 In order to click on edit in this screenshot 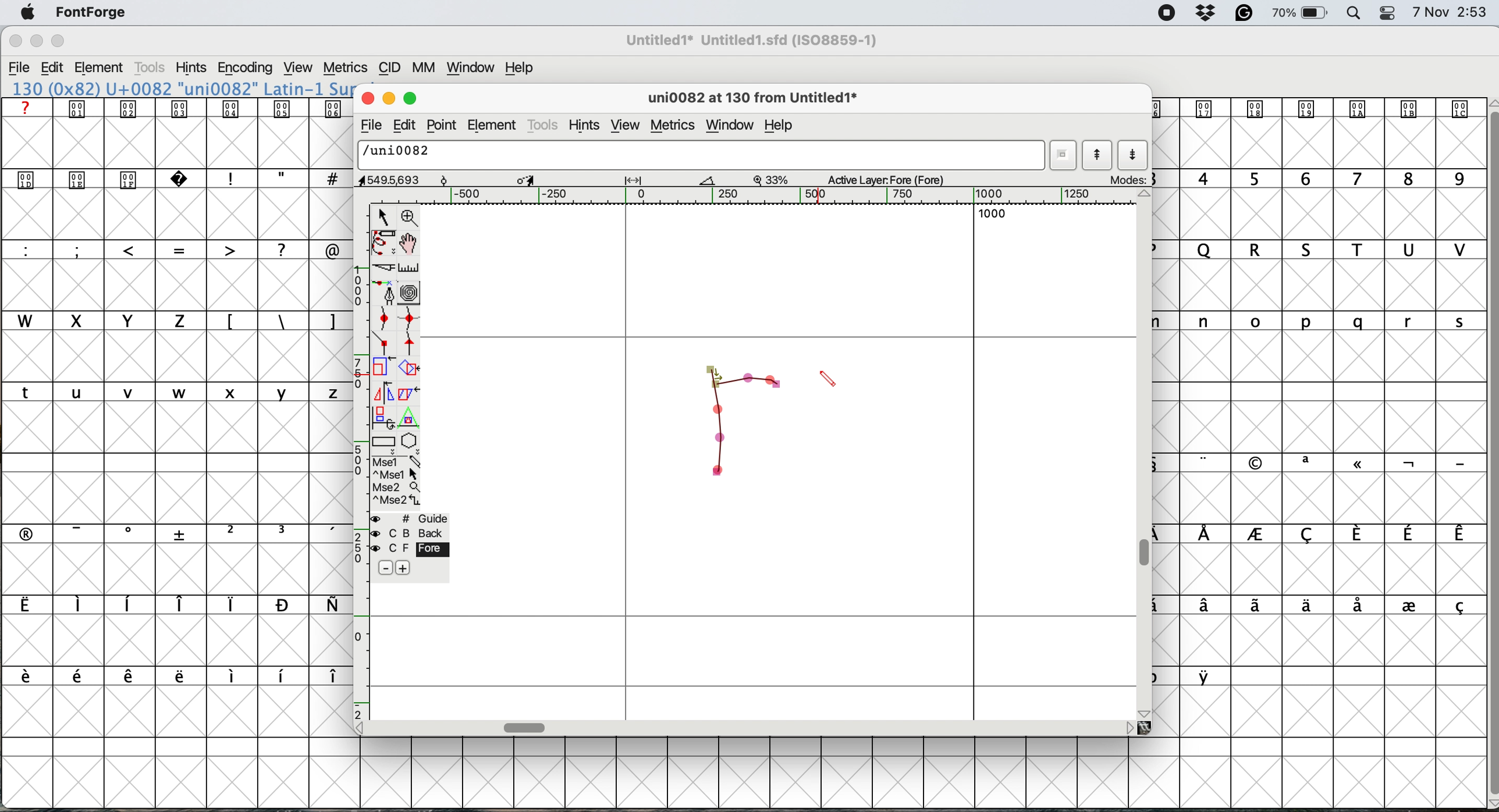, I will do `click(407, 125)`.